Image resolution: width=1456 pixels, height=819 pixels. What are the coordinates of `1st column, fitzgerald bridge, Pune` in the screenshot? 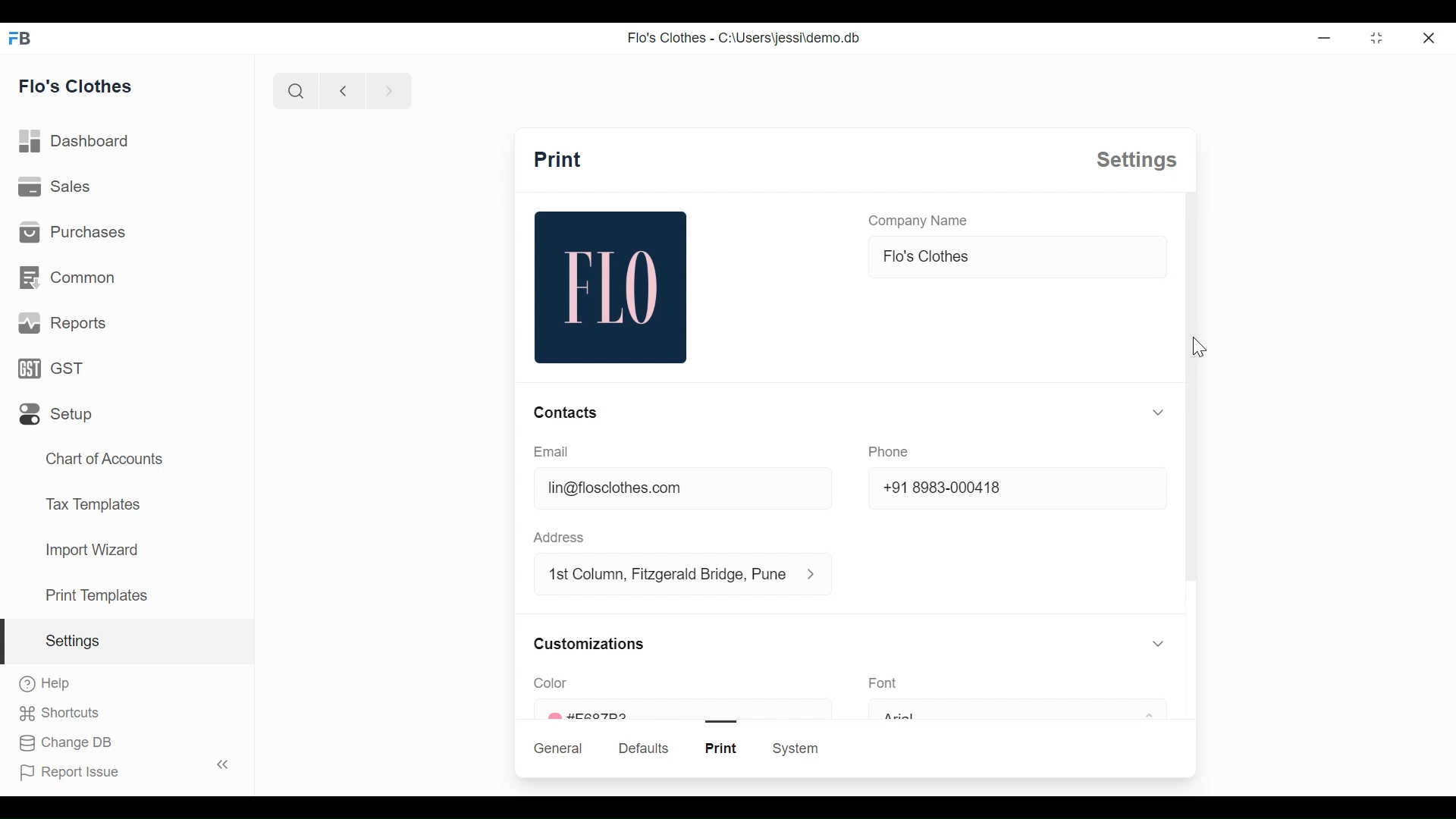 It's located at (664, 574).